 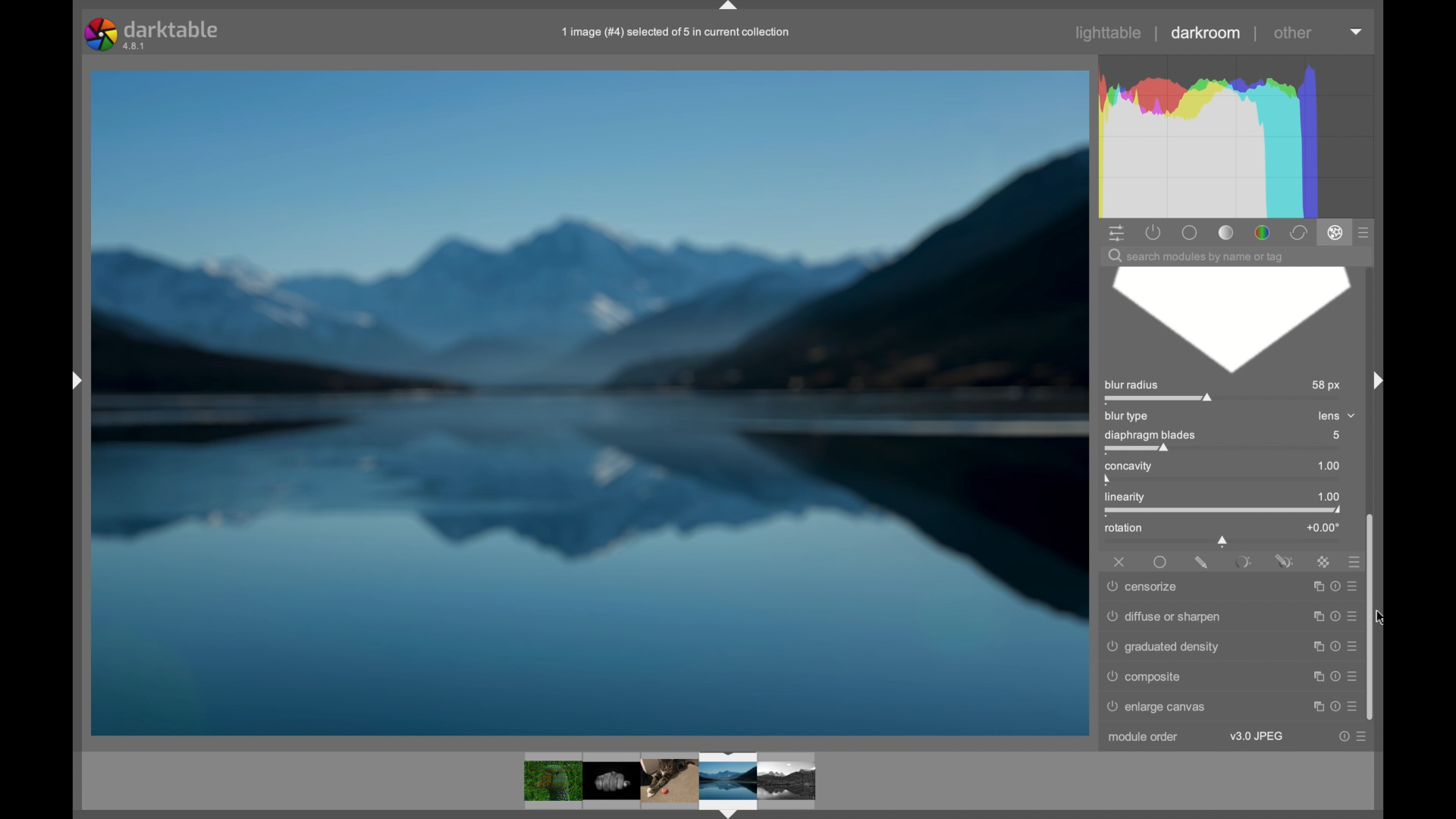 What do you see at coordinates (1376, 617) in the screenshot?
I see `scroll box` at bounding box center [1376, 617].